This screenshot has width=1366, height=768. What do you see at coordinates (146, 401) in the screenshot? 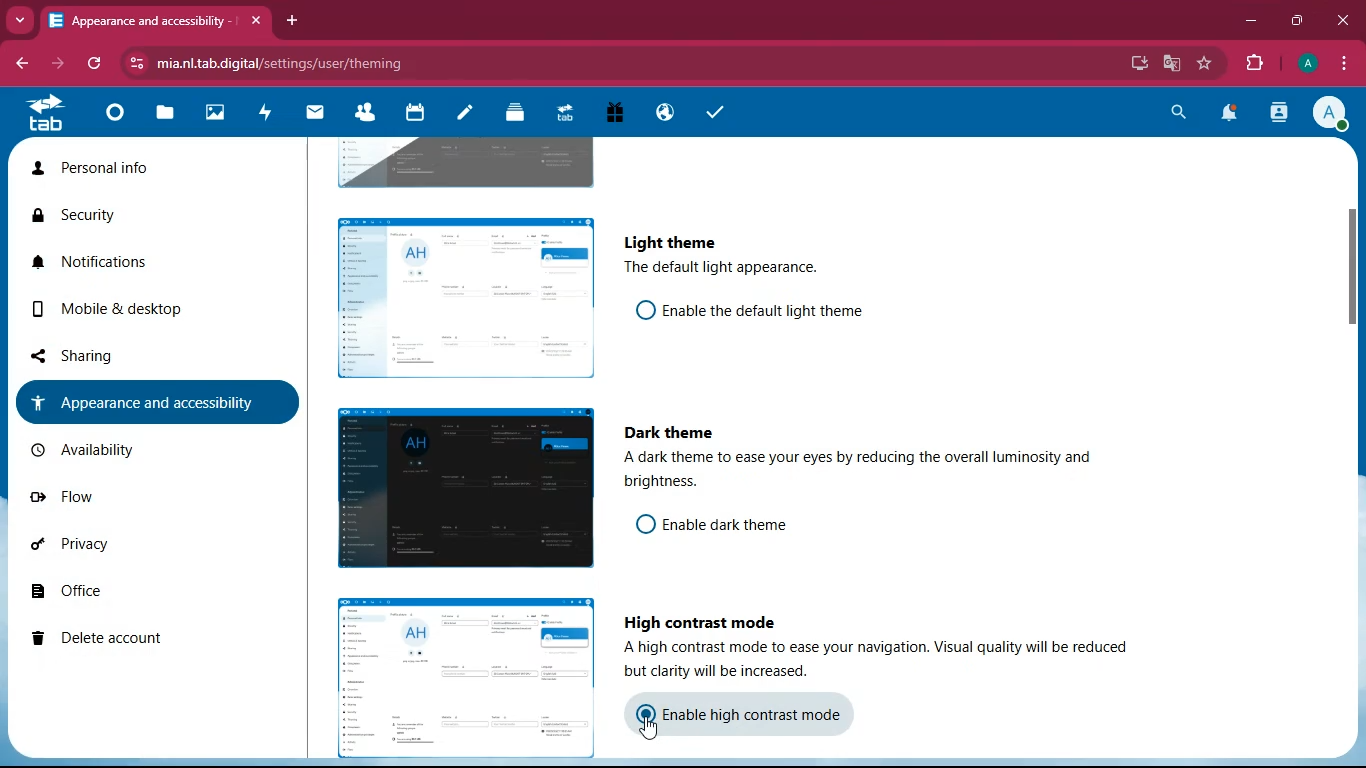
I see `appearance` at bounding box center [146, 401].